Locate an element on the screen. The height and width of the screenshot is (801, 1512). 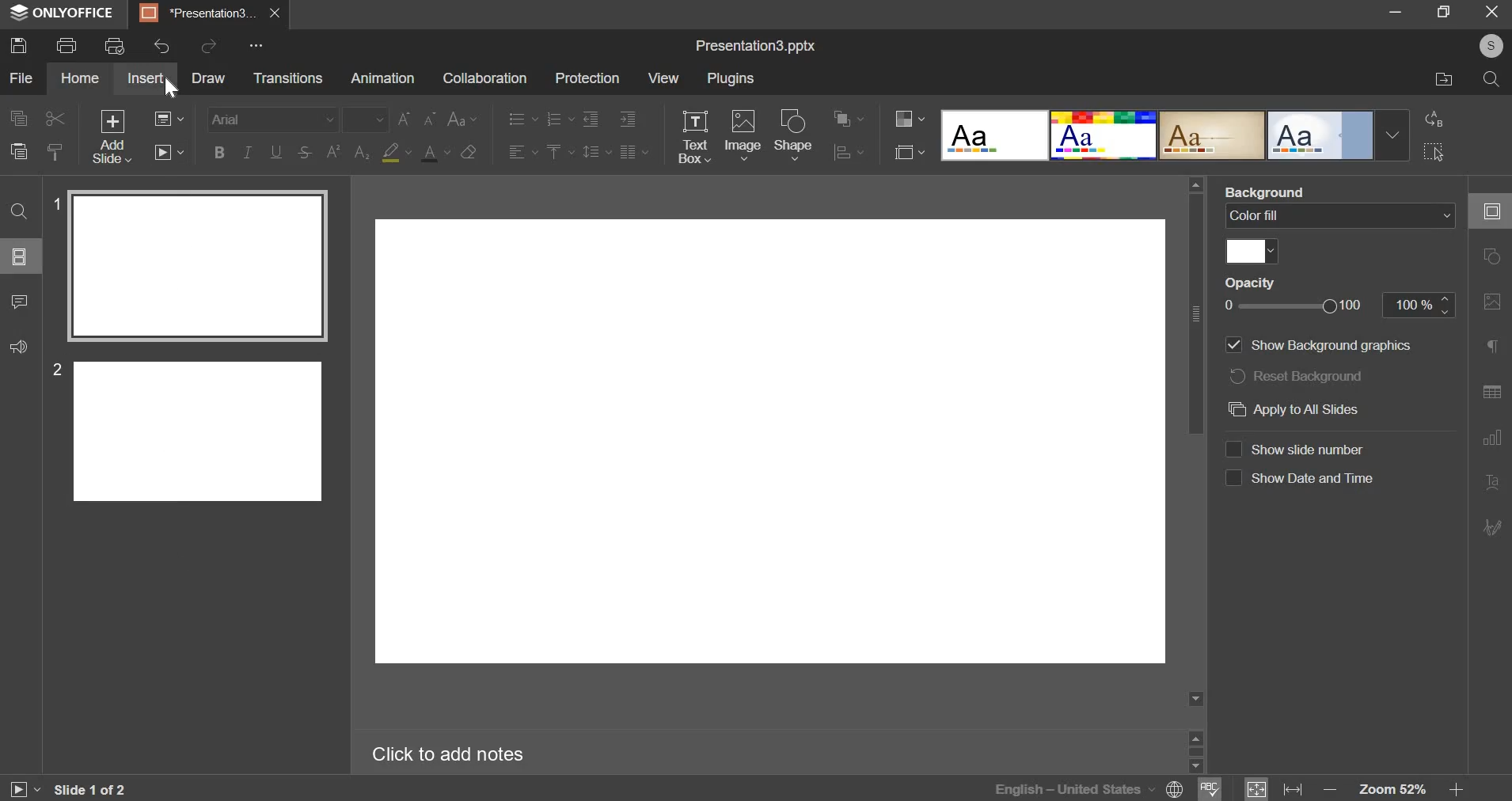
bold is located at coordinates (218, 152).